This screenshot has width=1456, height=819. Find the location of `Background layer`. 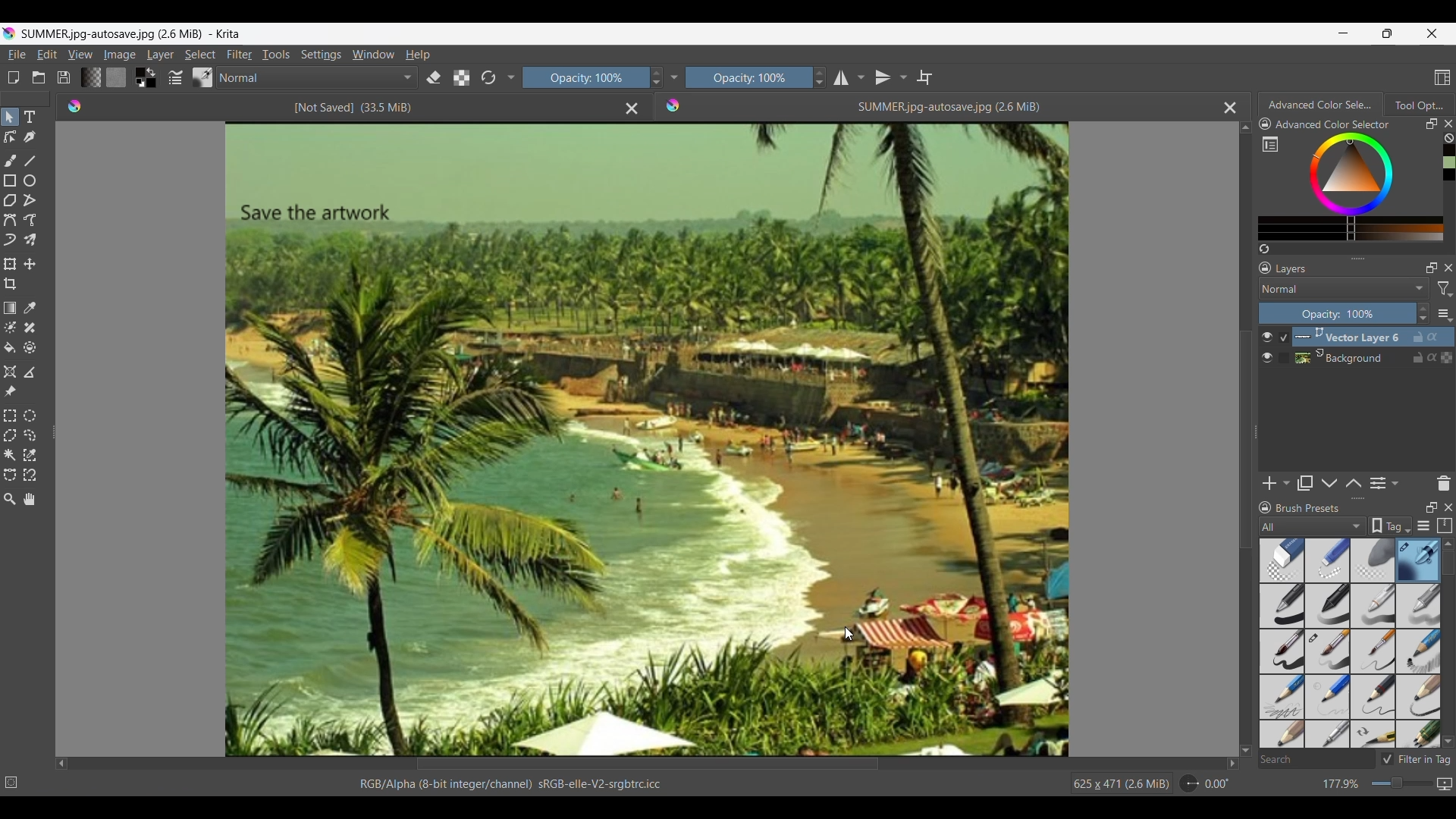

Background layer is located at coordinates (1373, 357).